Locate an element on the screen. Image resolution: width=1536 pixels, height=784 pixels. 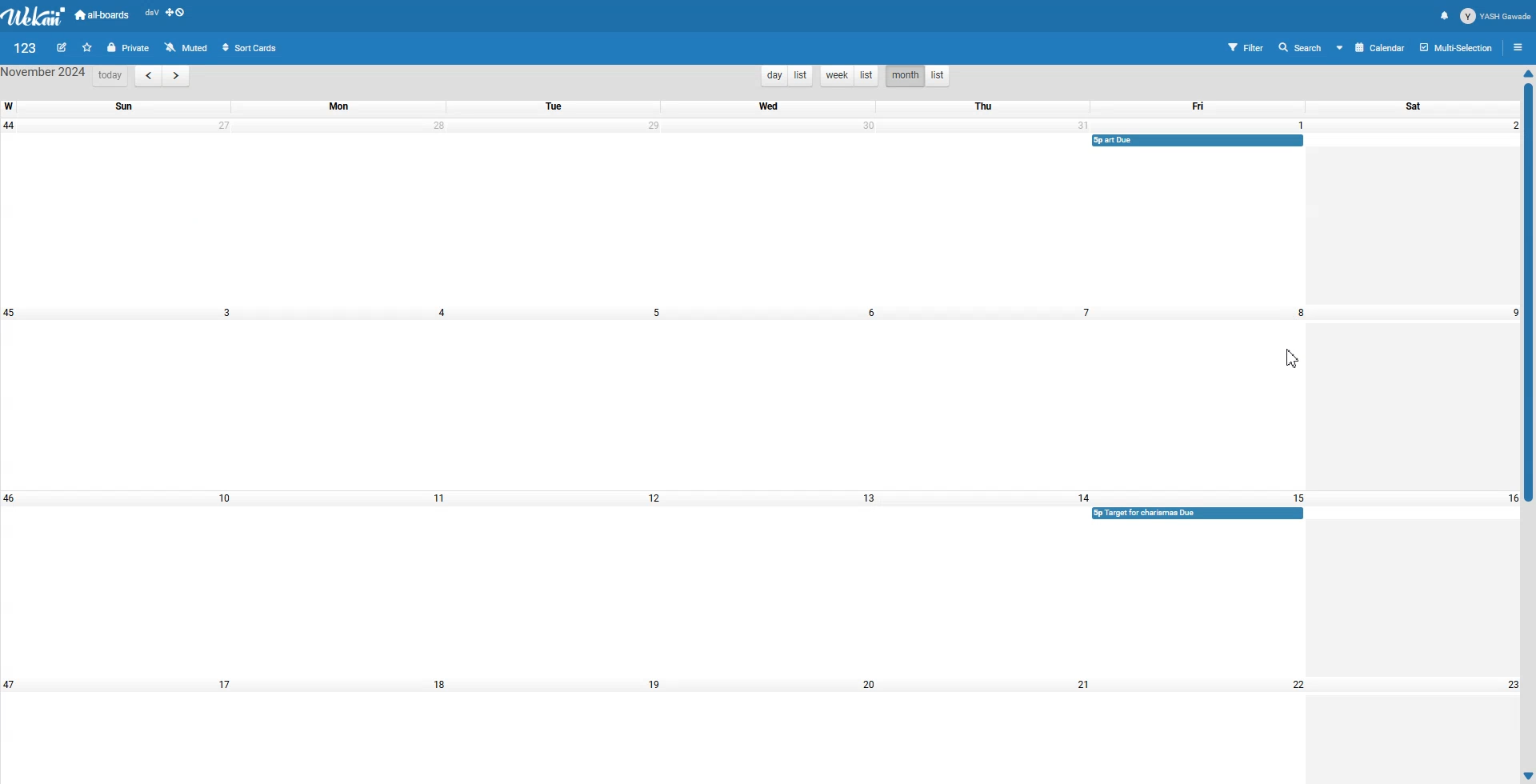
List is located at coordinates (867, 76).